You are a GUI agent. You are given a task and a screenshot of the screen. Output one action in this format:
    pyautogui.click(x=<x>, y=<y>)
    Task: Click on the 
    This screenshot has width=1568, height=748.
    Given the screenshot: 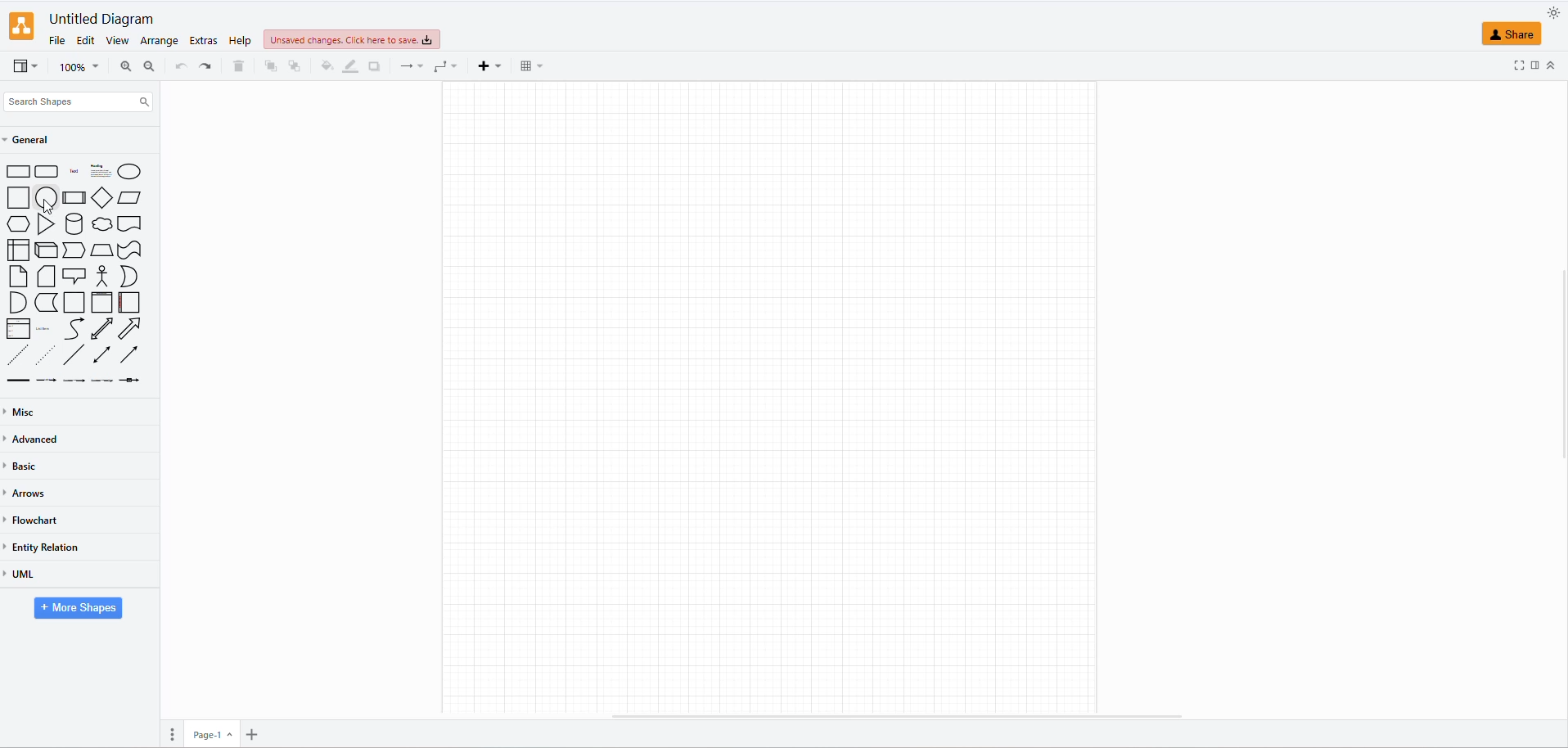 What is the action you would take?
    pyautogui.click(x=131, y=329)
    